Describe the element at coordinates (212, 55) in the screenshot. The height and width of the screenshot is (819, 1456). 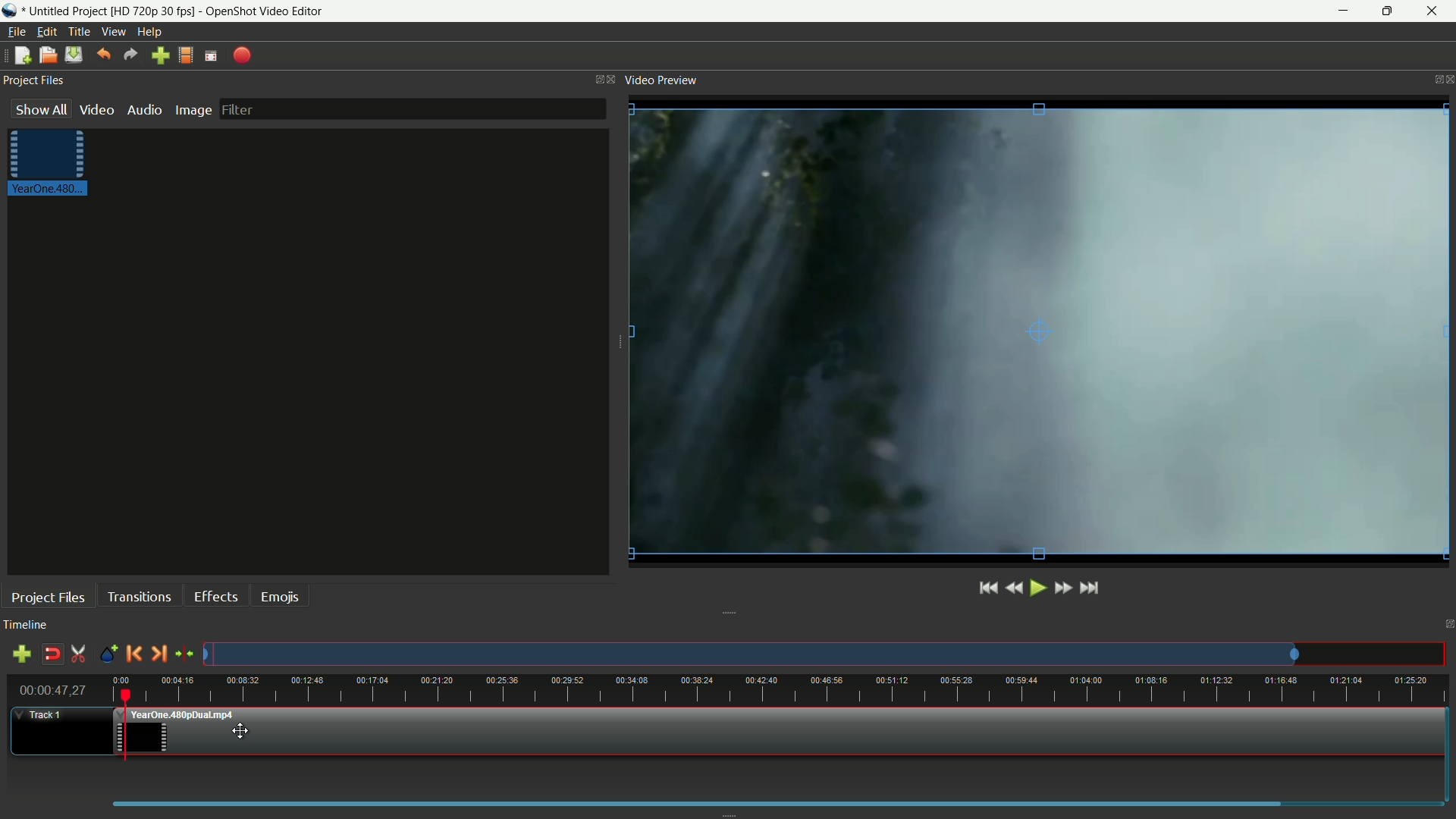
I see `full screen` at that location.